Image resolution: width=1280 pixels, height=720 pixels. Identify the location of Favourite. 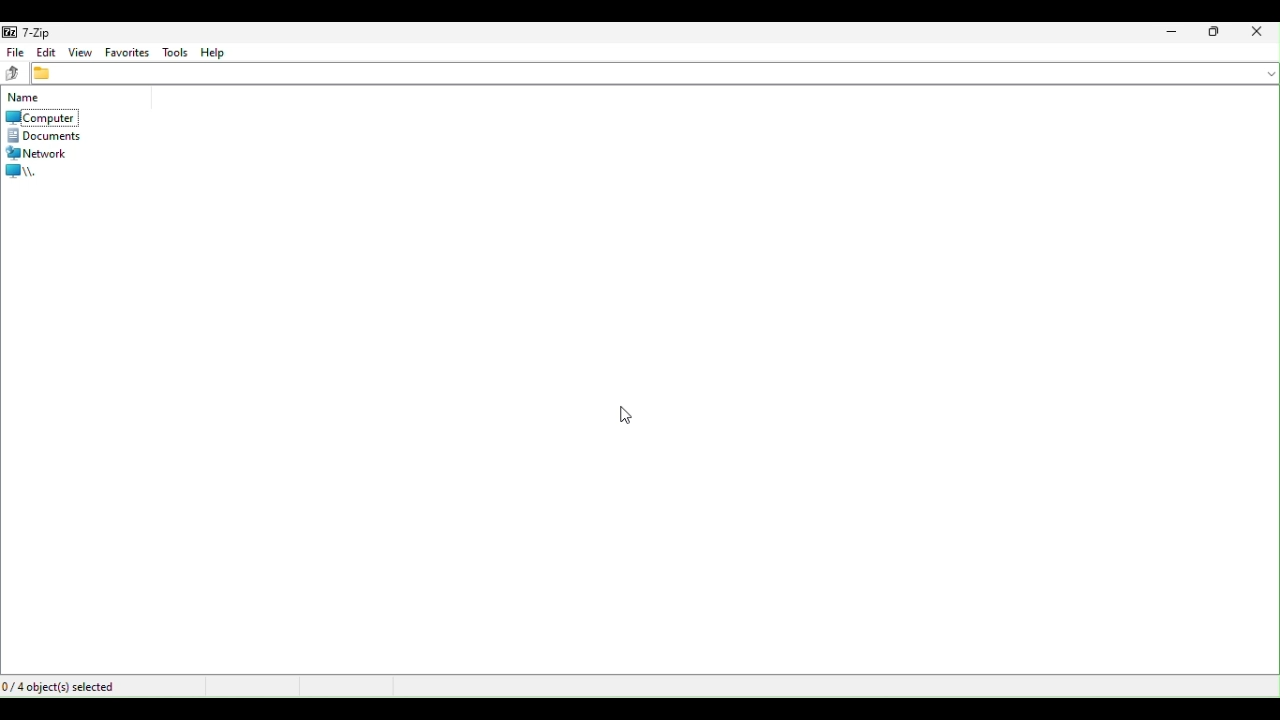
(126, 52).